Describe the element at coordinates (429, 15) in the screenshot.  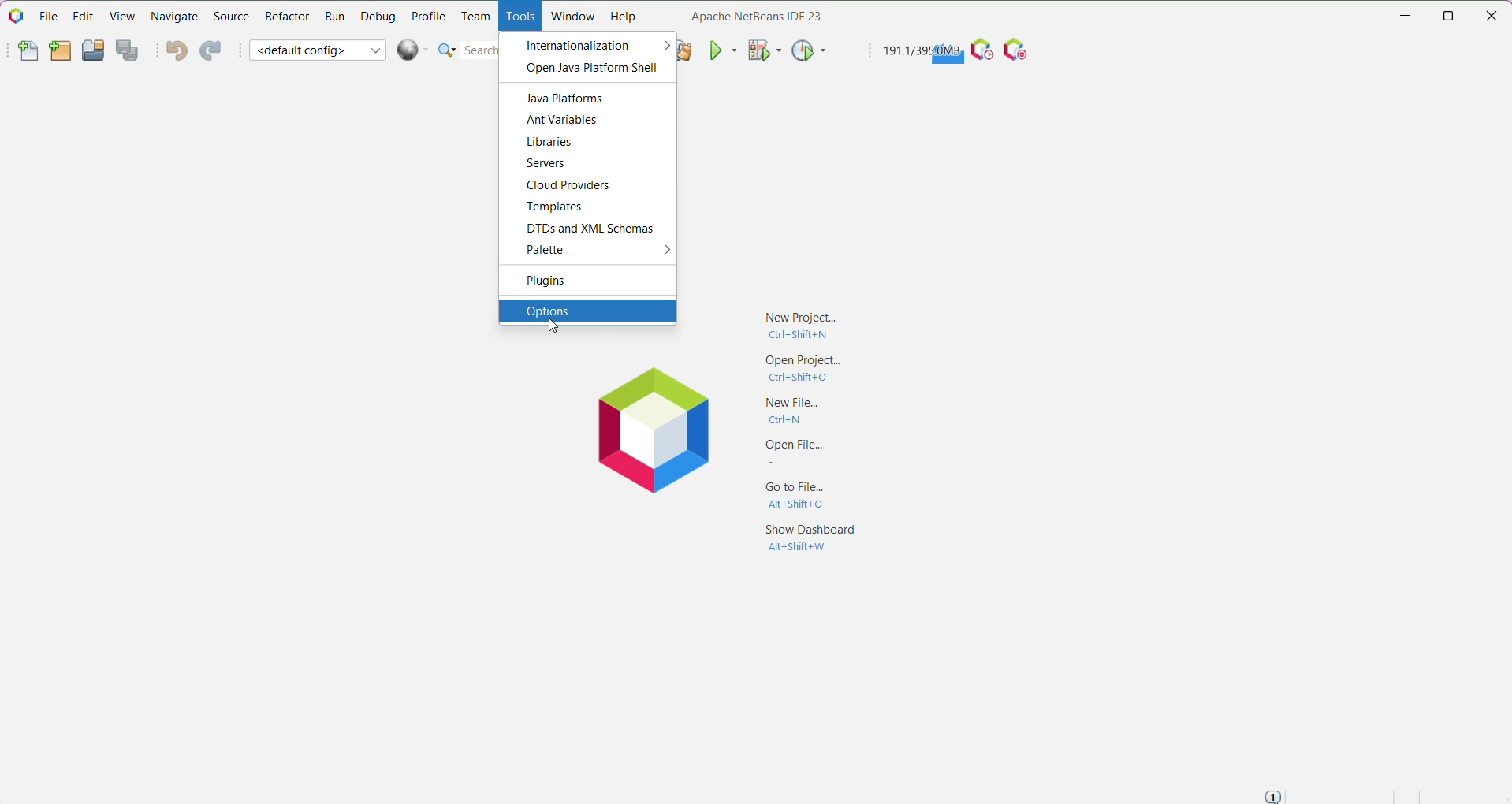
I see `Profile` at that location.